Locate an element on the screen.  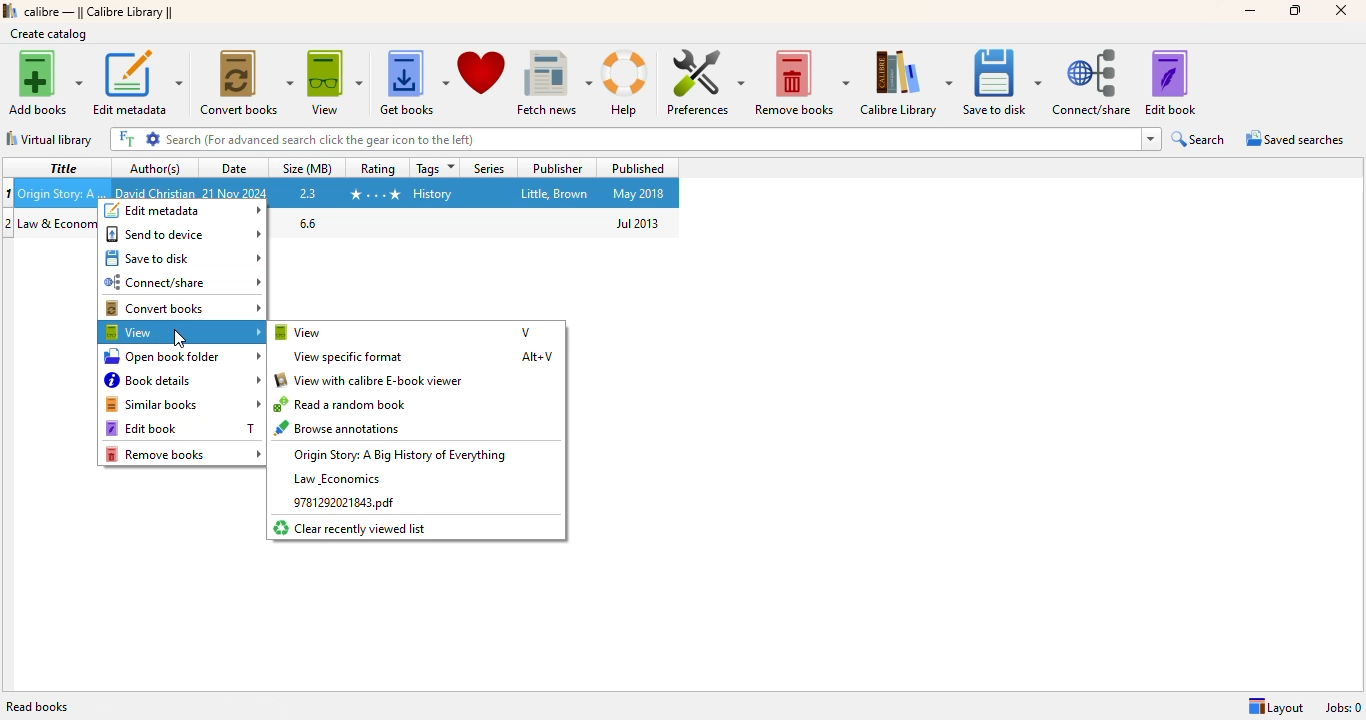
edit book is located at coordinates (141, 429).